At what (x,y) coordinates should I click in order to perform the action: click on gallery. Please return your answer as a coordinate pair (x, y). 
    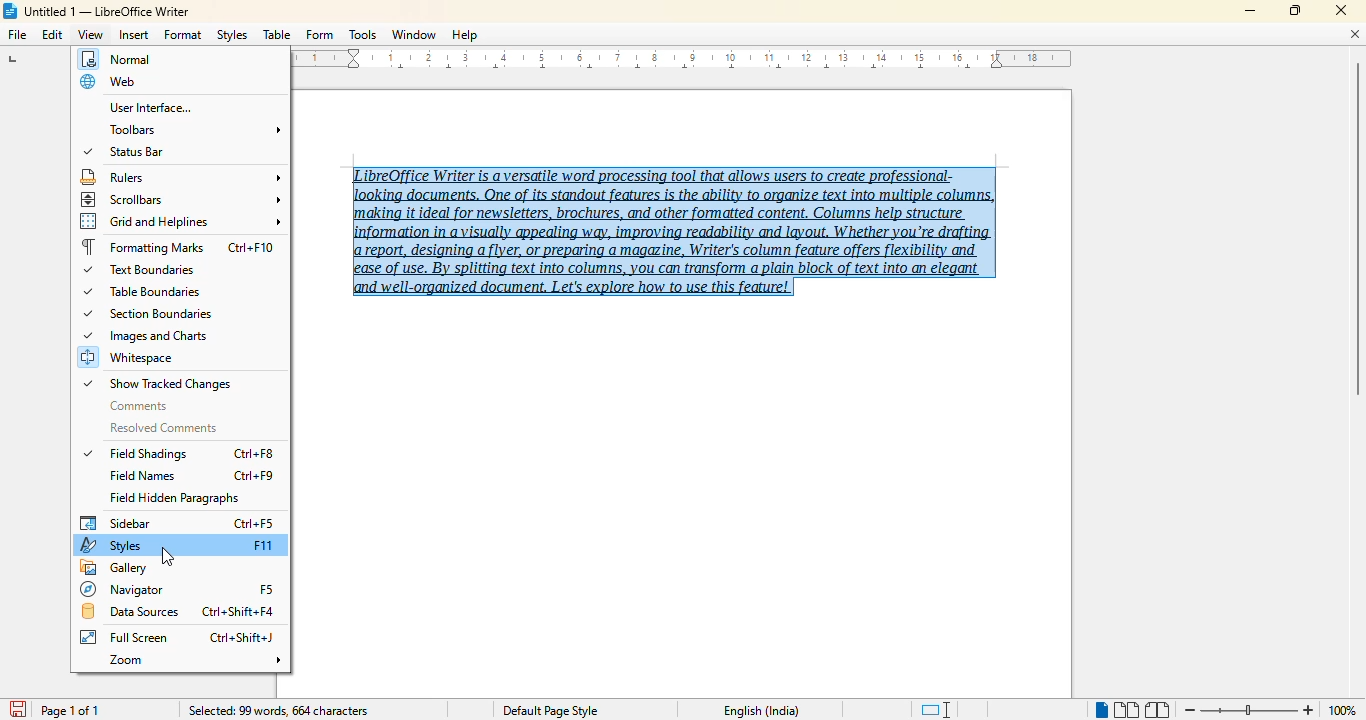
    Looking at the image, I should click on (115, 568).